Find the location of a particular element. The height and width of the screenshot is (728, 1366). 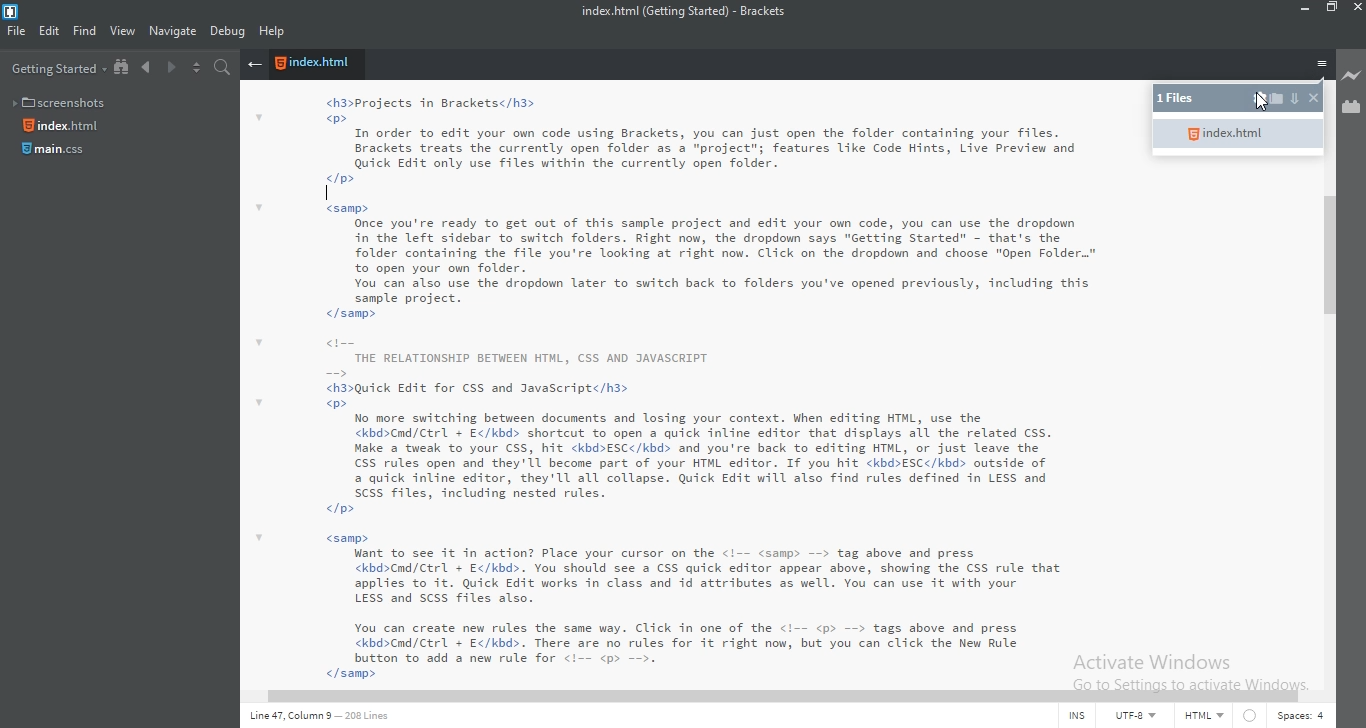

minmise is located at coordinates (1301, 10).